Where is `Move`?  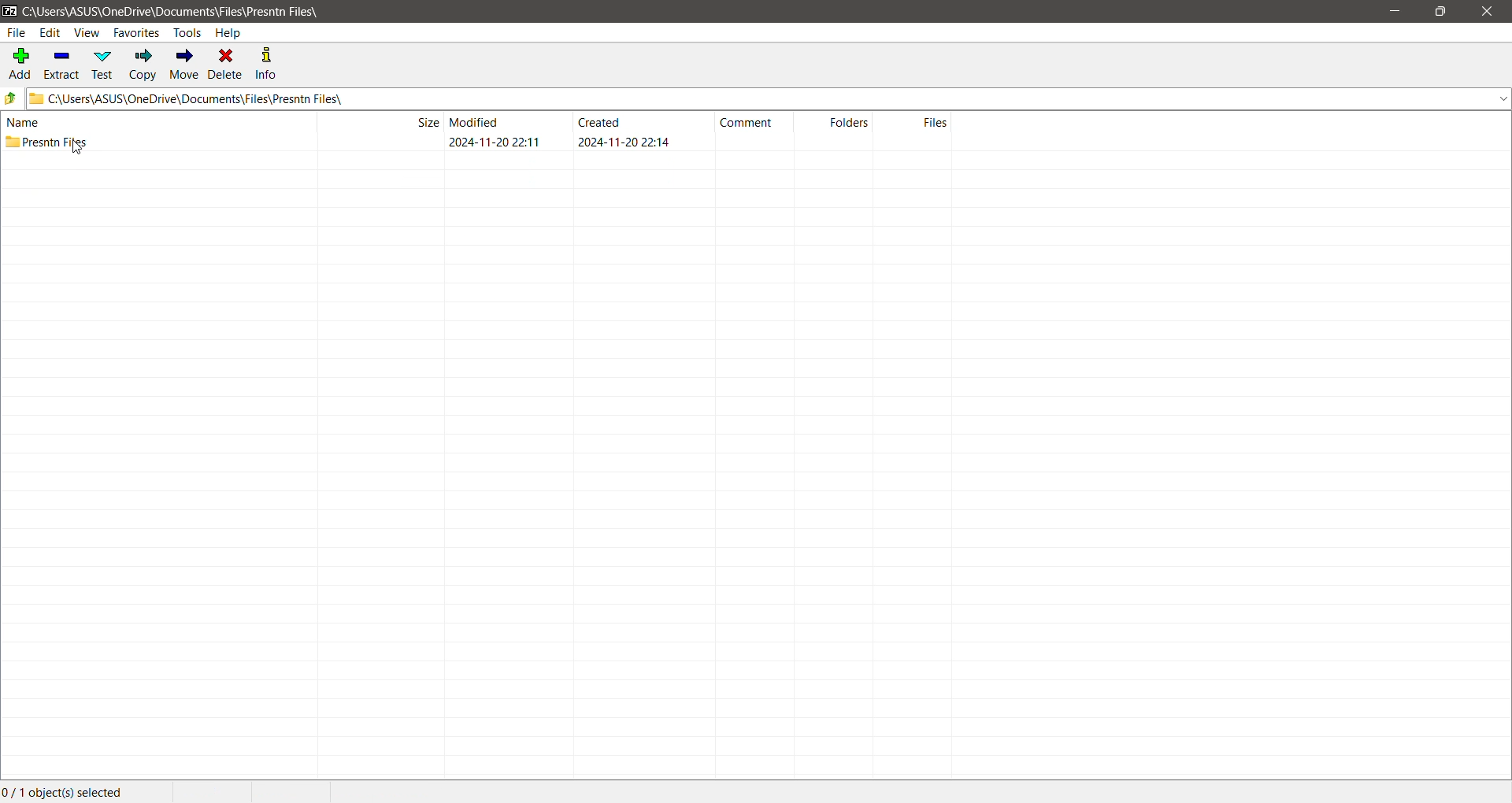 Move is located at coordinates (185, 65).